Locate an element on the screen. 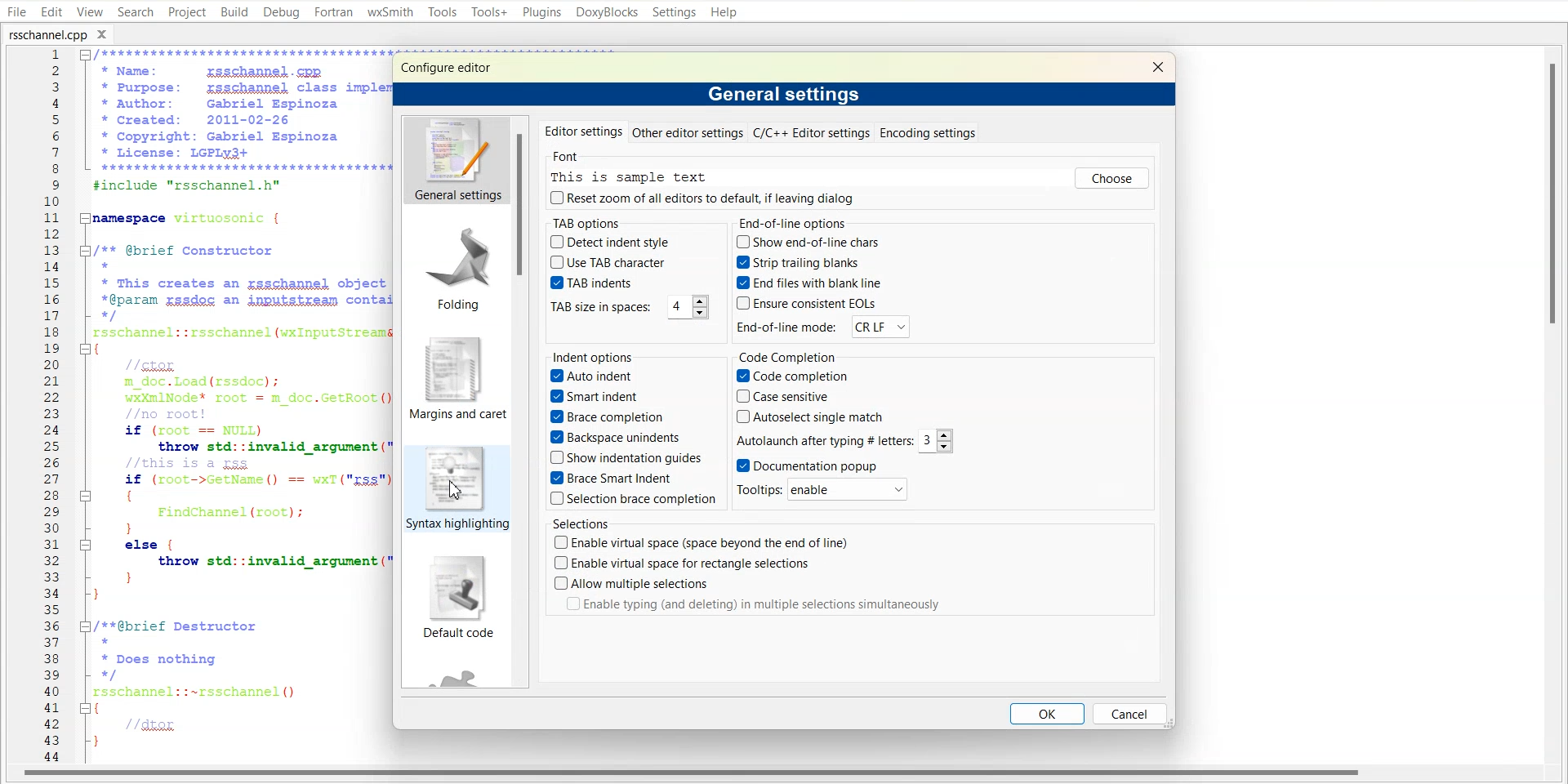  Selection is located at coordinates (581, 523).